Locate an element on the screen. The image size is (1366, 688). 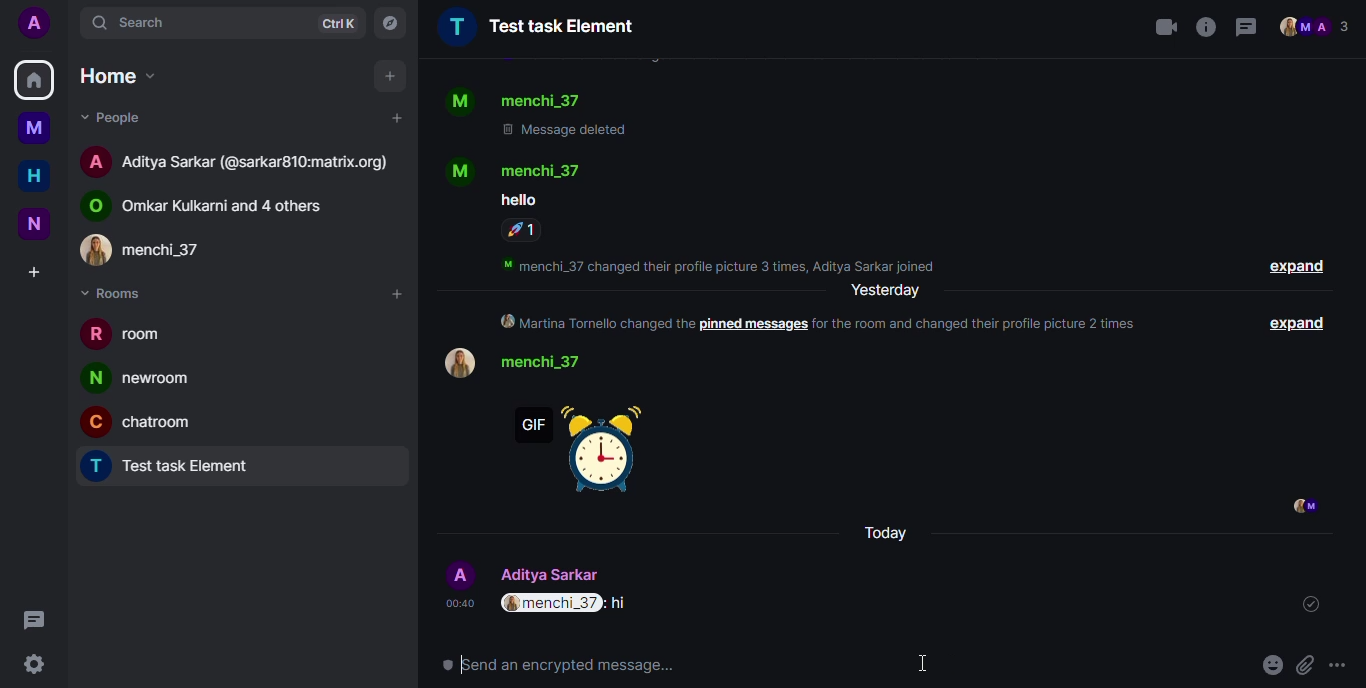
Test task Element is located at coordinates (178, 468).